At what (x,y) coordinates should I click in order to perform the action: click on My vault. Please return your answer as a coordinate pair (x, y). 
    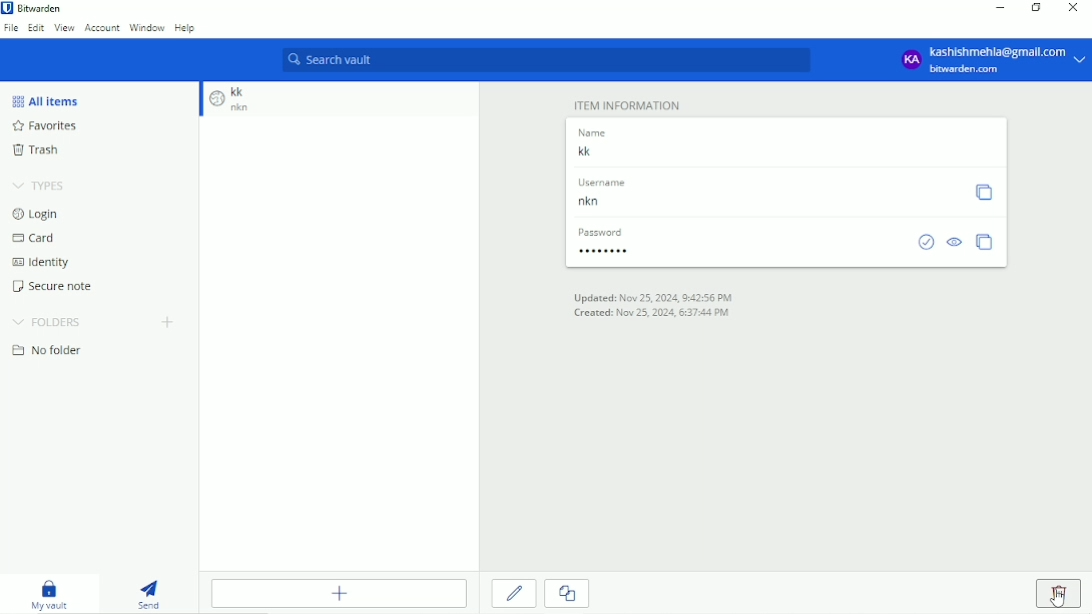
    Looking at the image, I should click on (51, 594).